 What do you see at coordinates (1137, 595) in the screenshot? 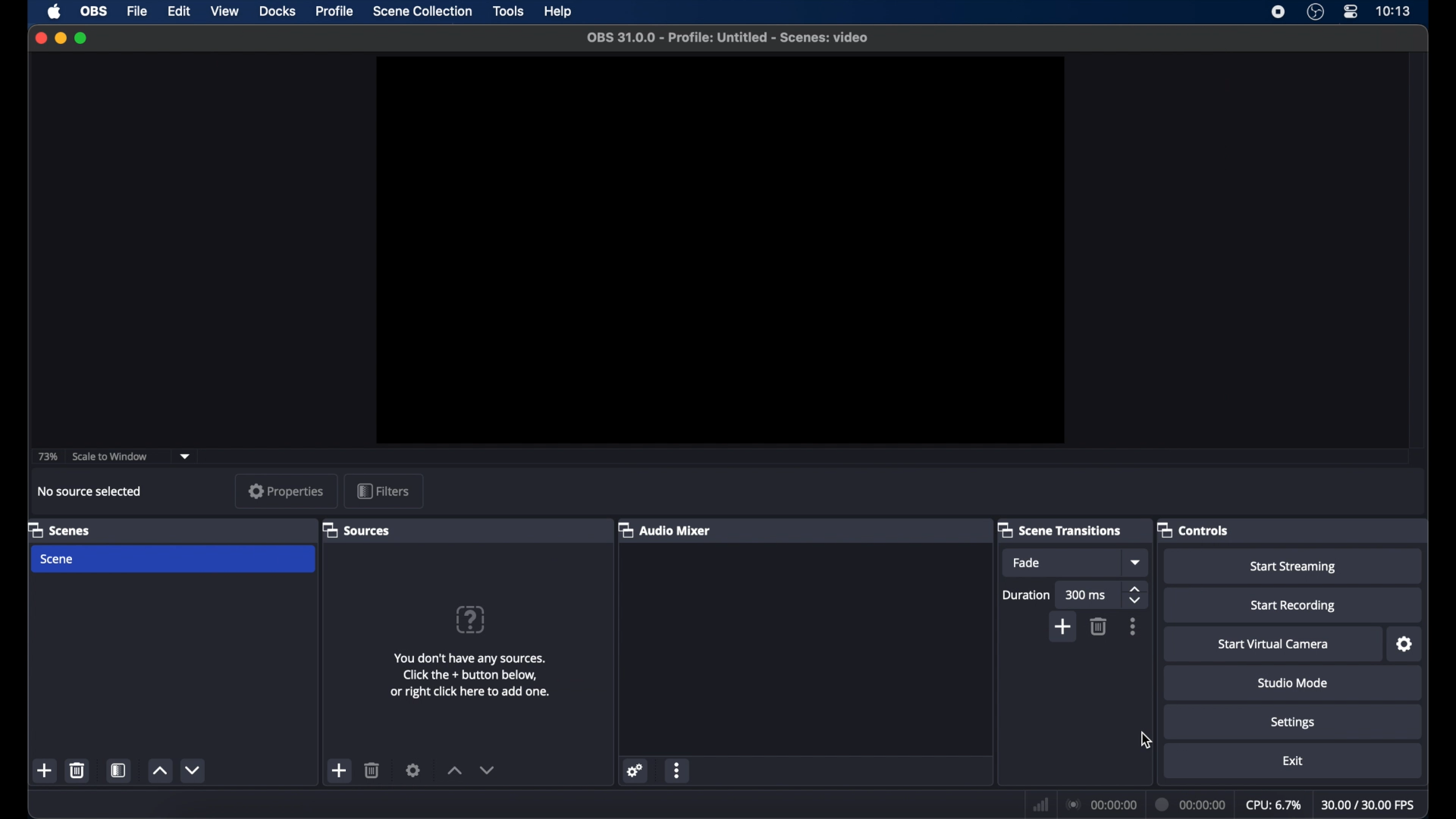
I see `stepper buttons` at bounding box center [1137, 595].